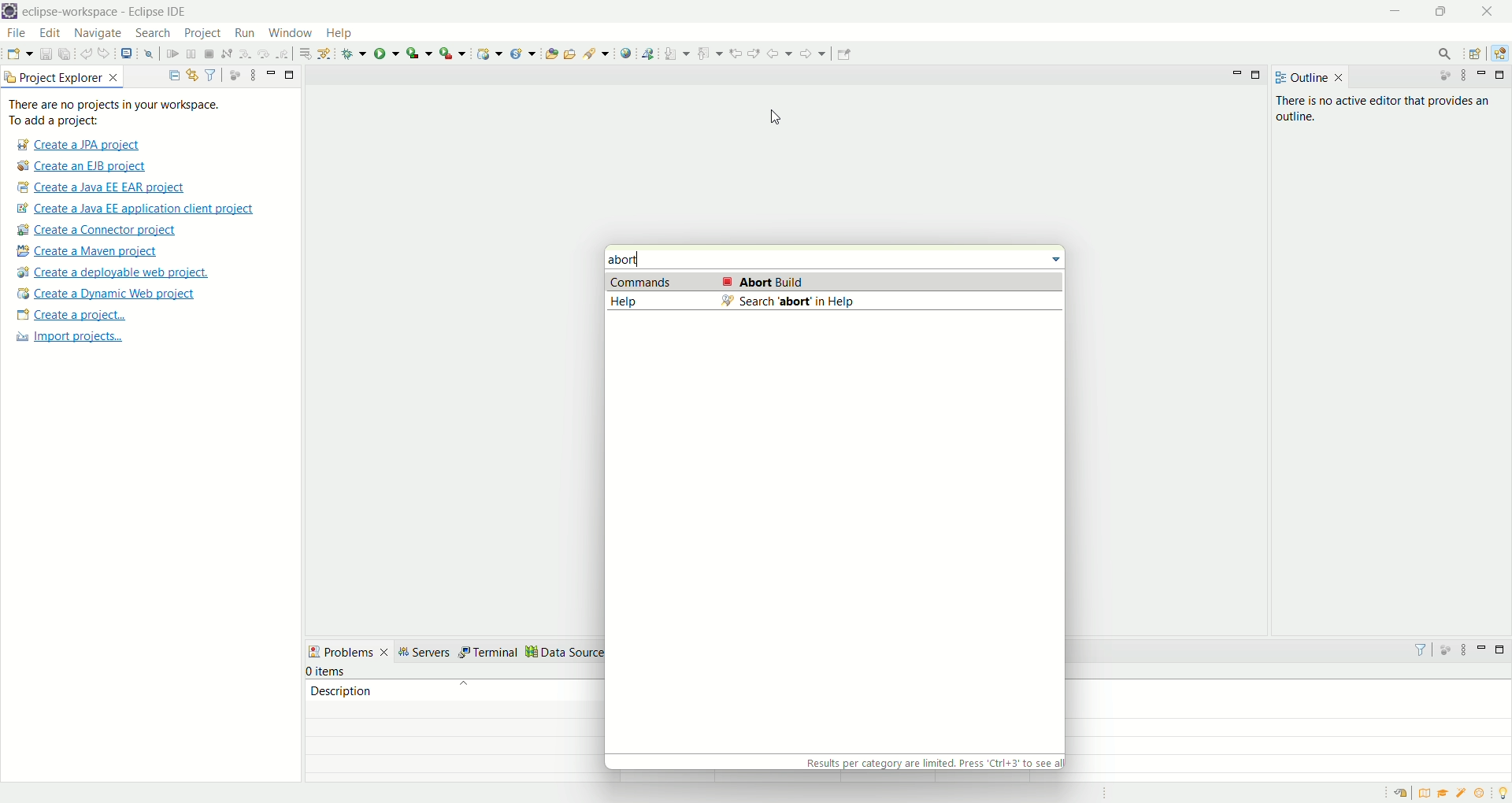 This screenshot has width=1512, height=803. What do you see at coordinates (327, 671) in the screenshot?
I see `items` at bounding box center [327, 671].